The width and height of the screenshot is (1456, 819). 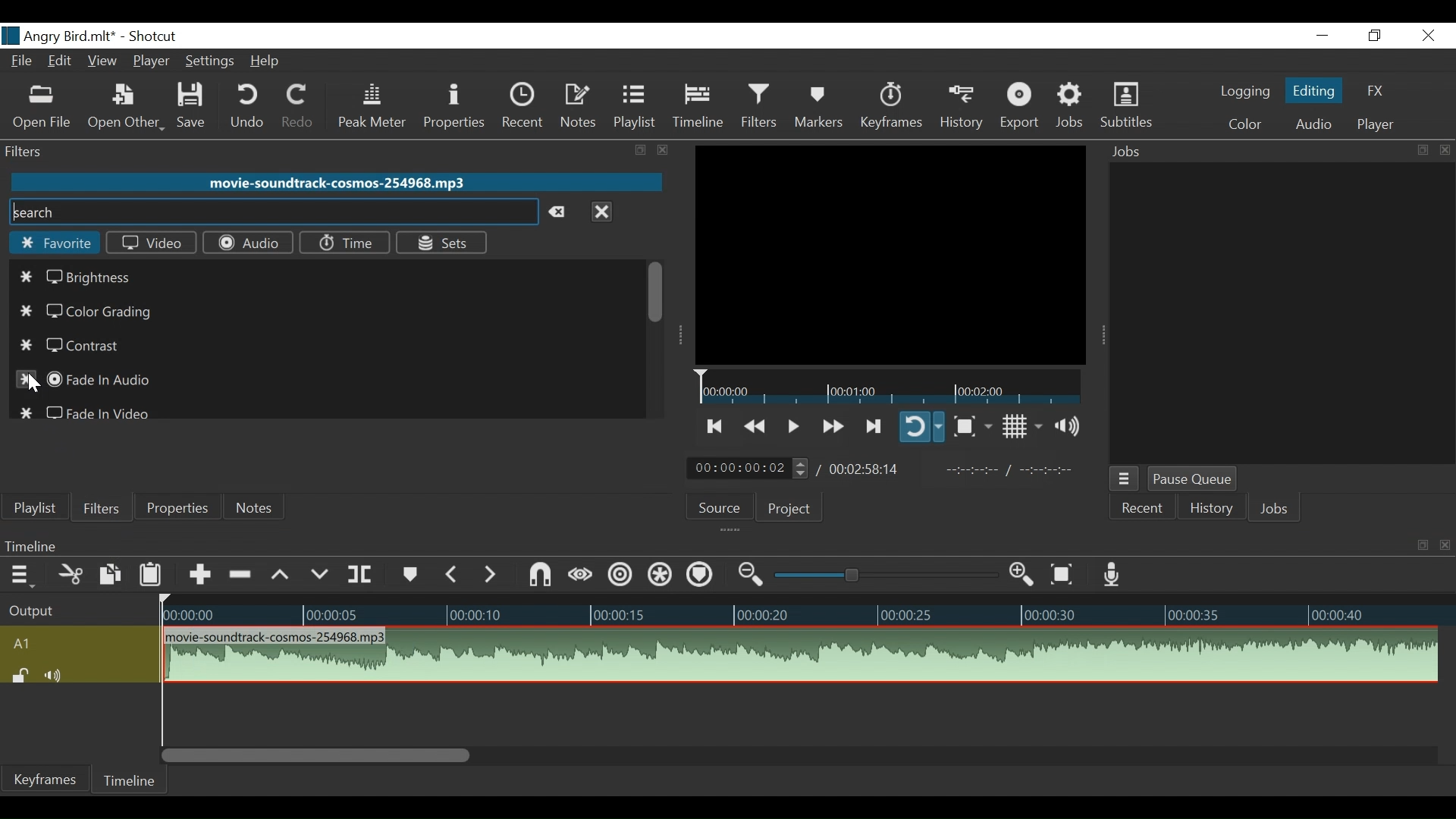 I want to click on Clear search, so click(x=561, y=213).